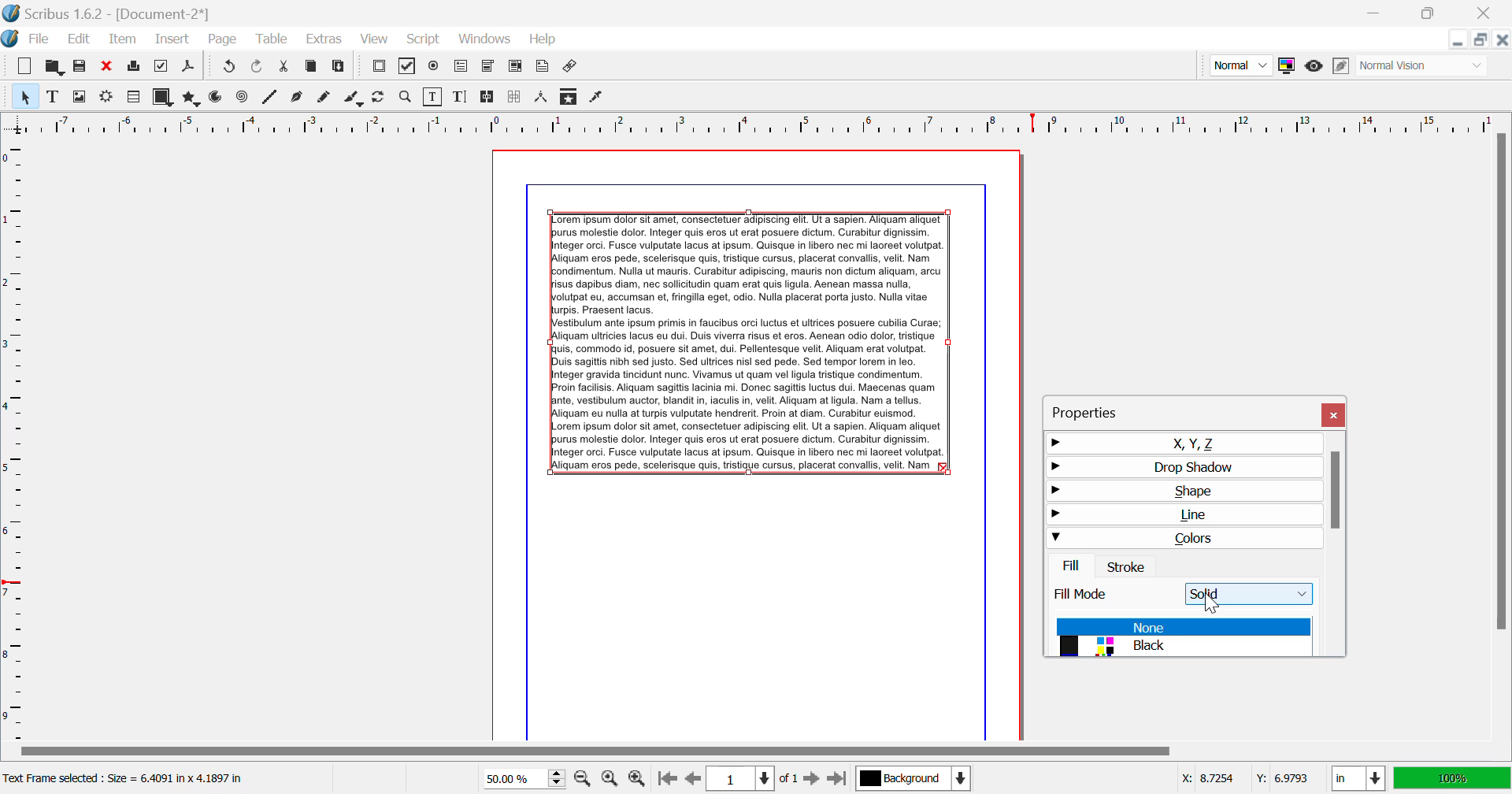 This screenshot has height=794, width=1512. I want to click on Bezier Curve, so click(298, 98).